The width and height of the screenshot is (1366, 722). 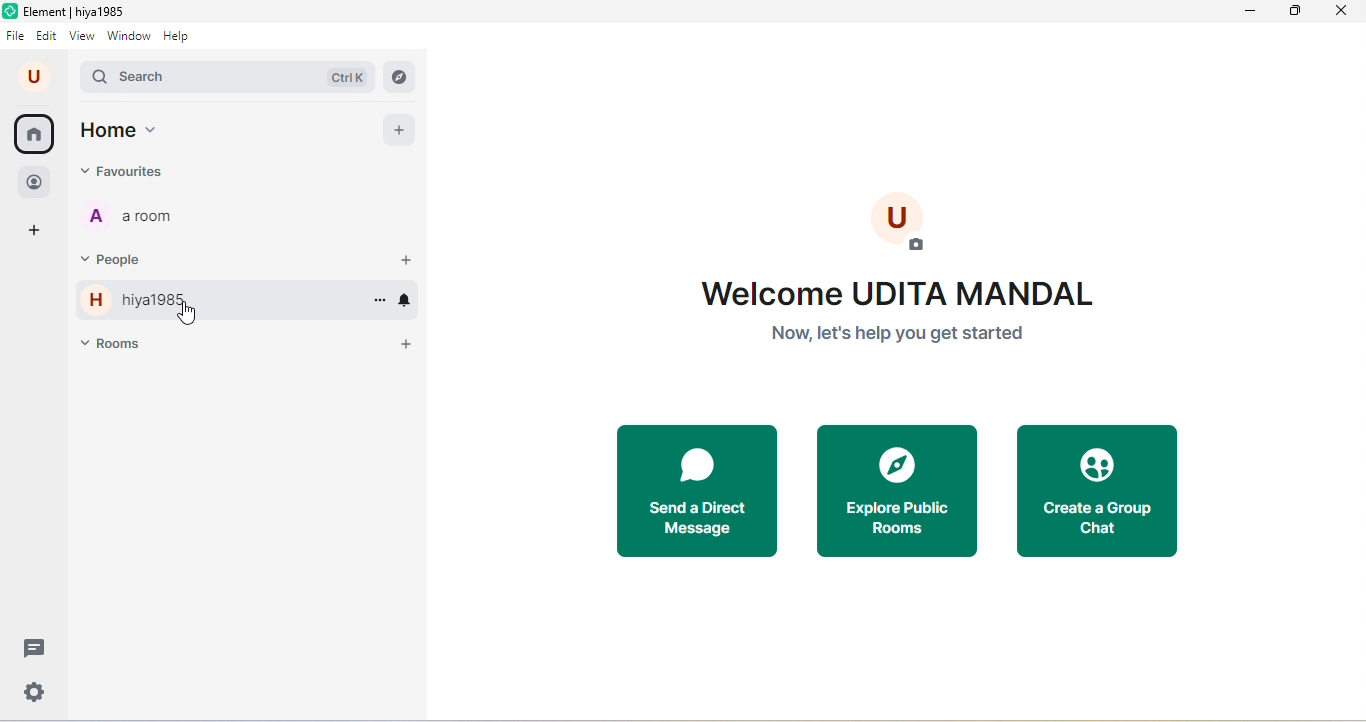 I want to click on close, so click(x=1345, y=15).